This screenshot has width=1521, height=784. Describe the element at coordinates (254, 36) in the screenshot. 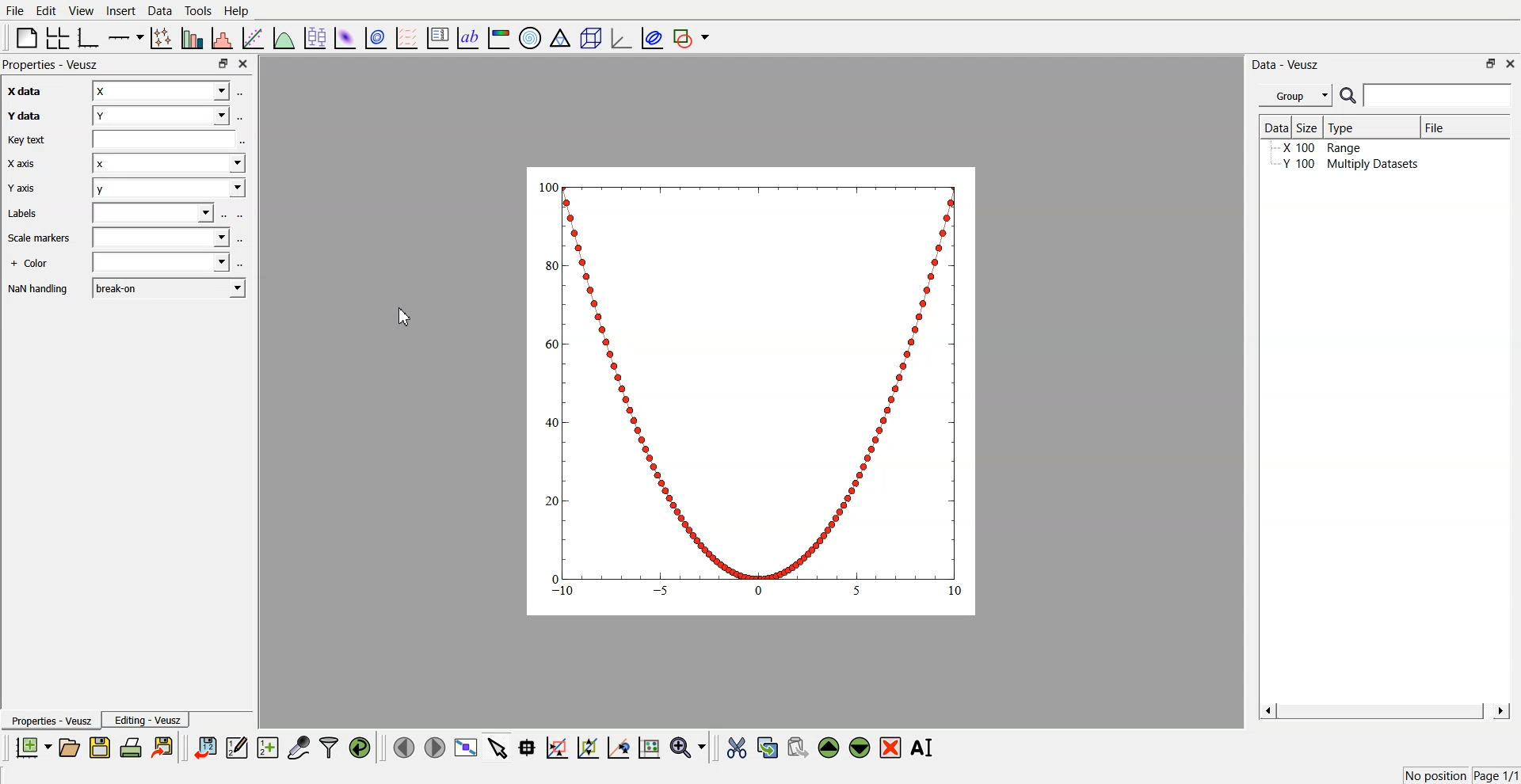

I see `fit a function` at that location.